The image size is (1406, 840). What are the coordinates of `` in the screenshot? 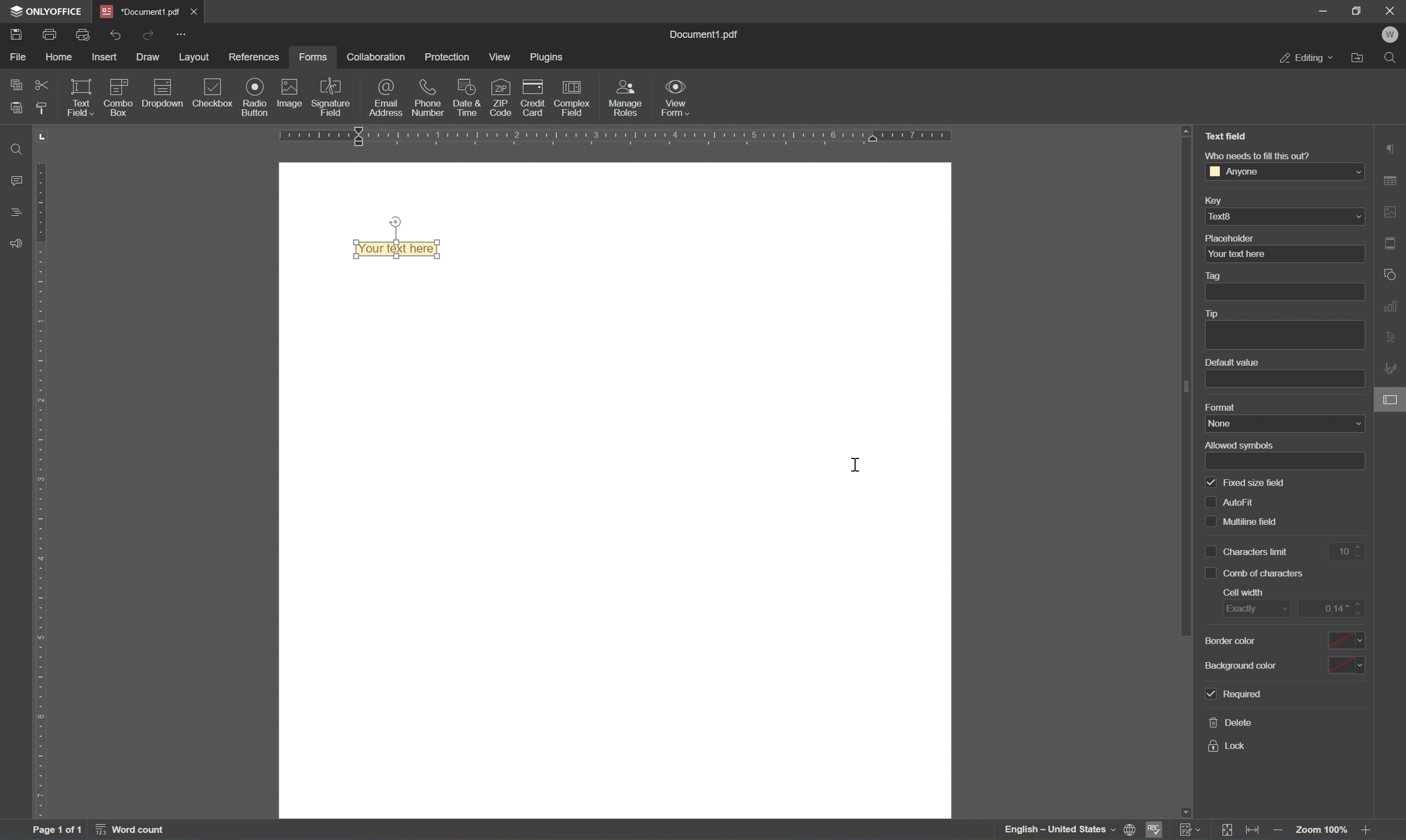 It's located at (215, 96).